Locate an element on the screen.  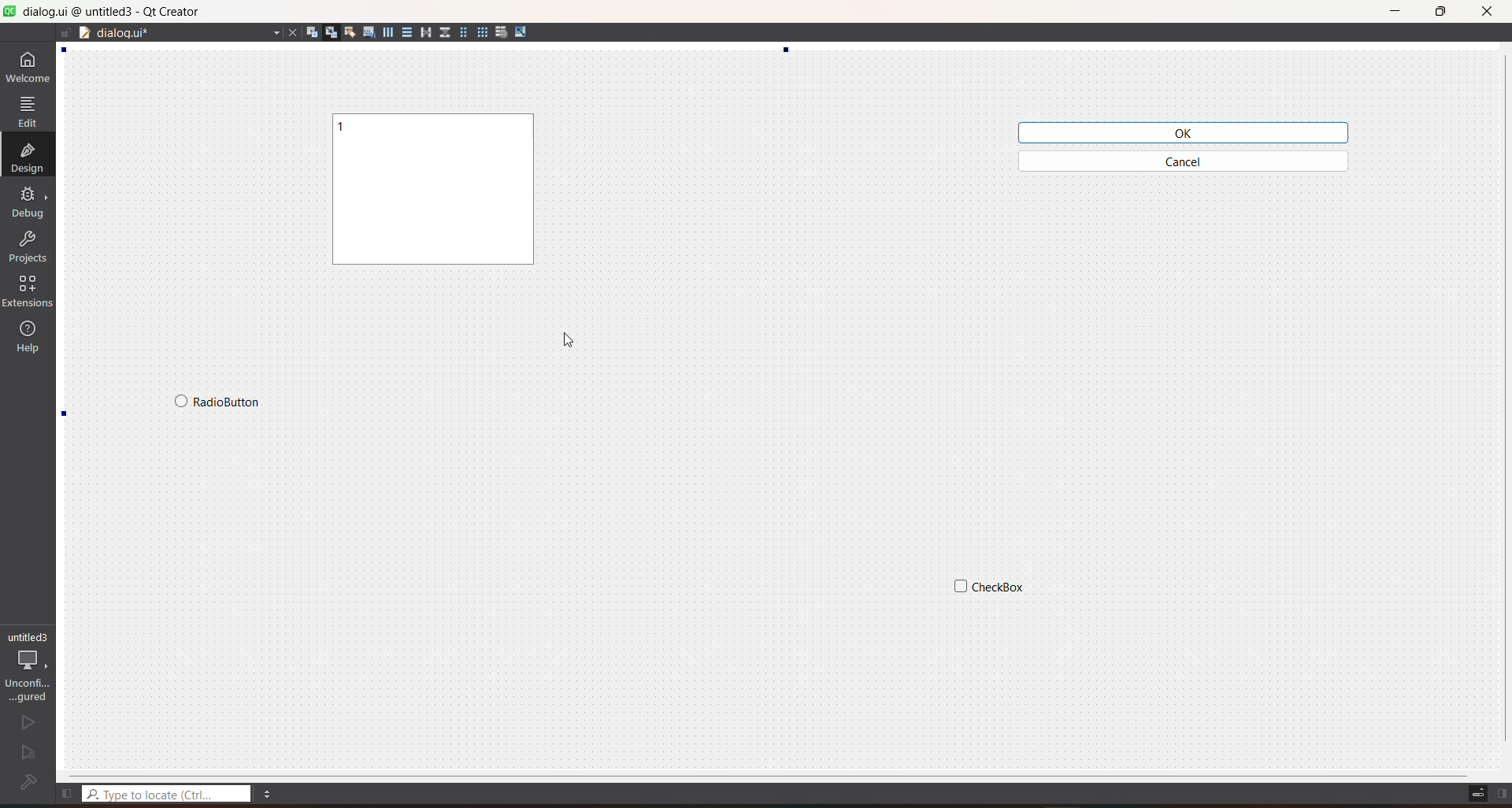
run file is located at coordinates (26, 721).